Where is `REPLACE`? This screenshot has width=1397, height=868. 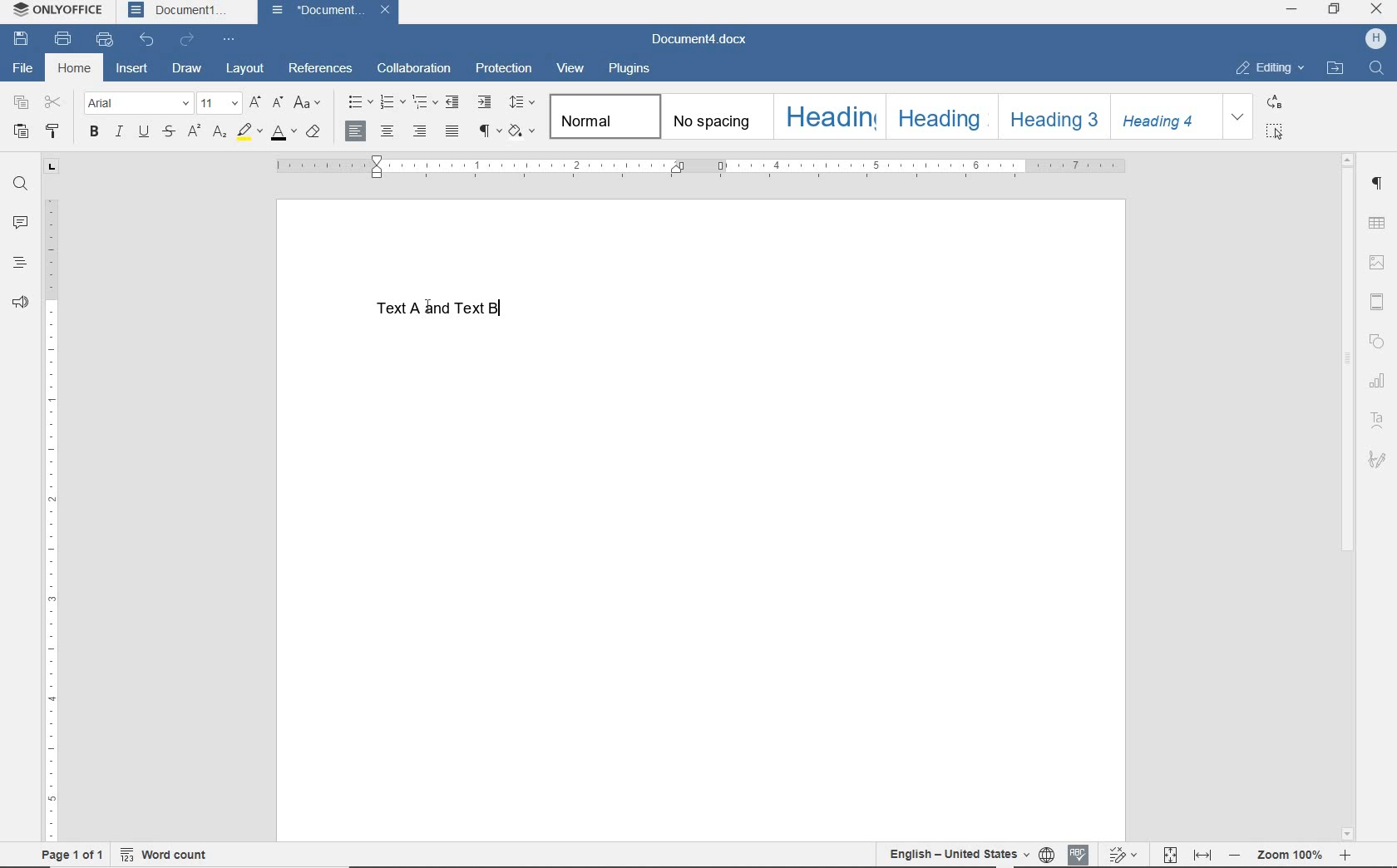 REPLACE is located at coordinates (1273, 101).